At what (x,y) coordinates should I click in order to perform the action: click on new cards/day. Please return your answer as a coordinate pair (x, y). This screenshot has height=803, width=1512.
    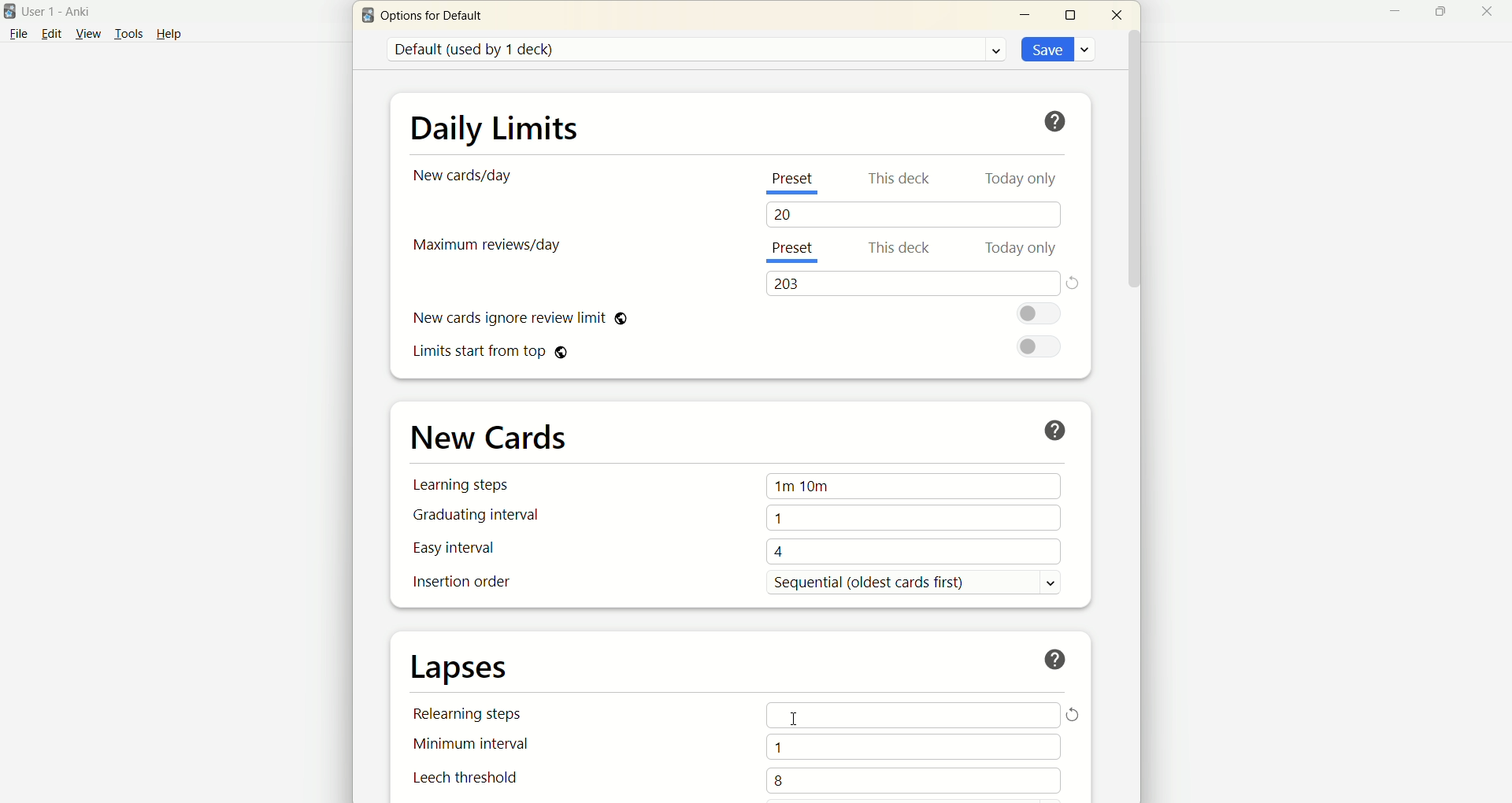
    Looking at the image, I should click on (467, 176).